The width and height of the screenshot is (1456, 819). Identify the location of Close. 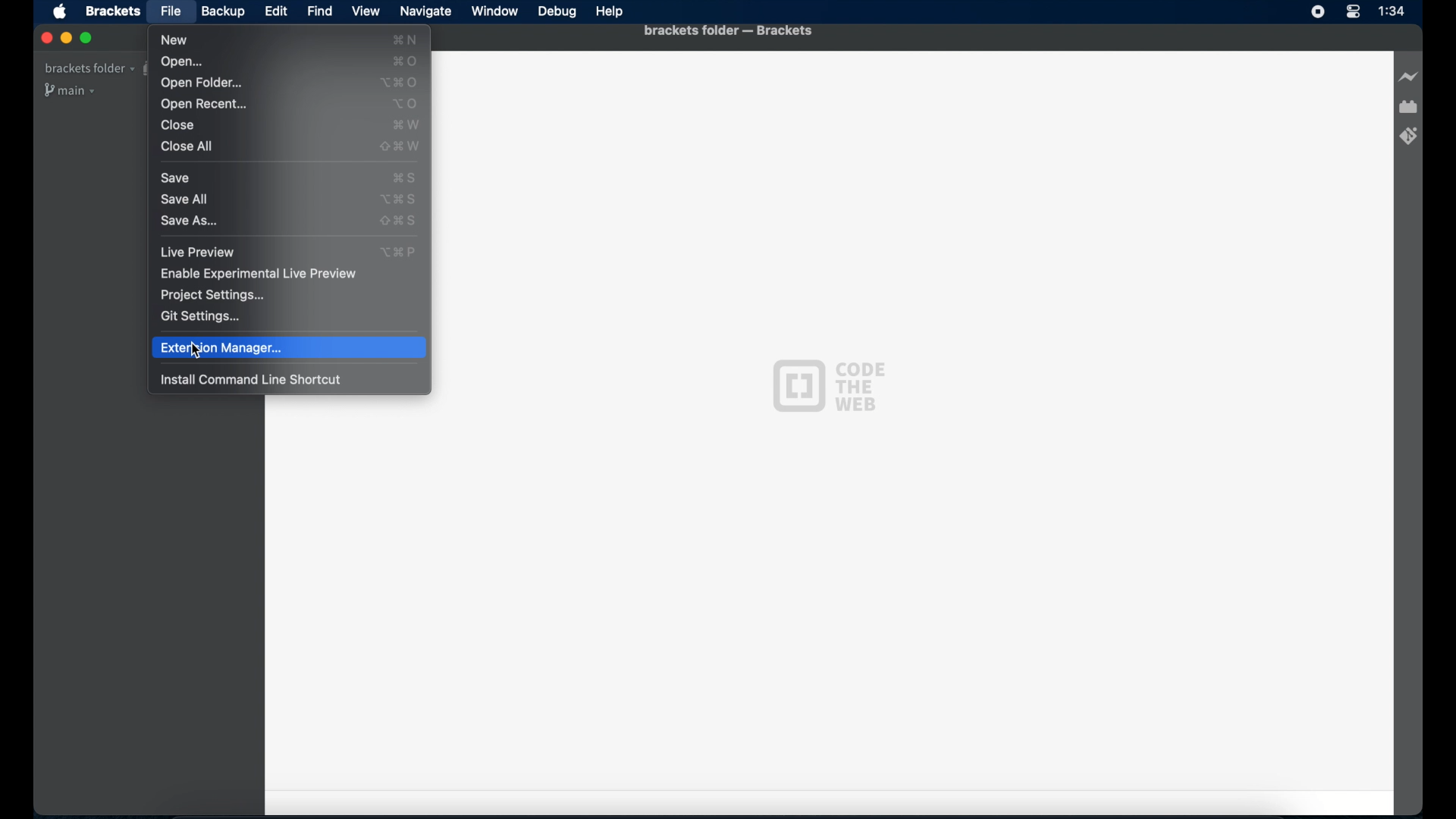
(177, 125).